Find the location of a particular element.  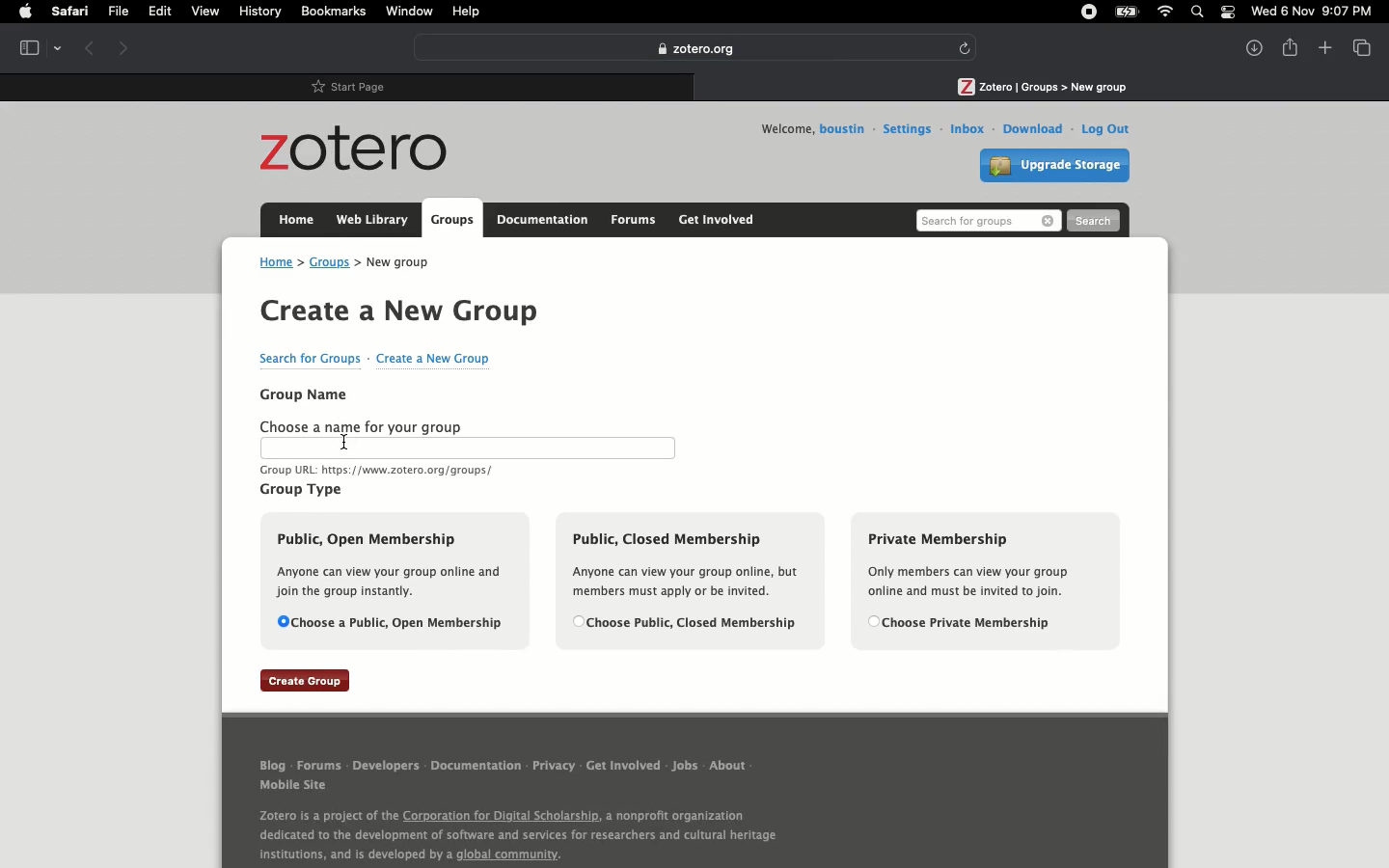

Log out is located at coordinates (1103, 128).